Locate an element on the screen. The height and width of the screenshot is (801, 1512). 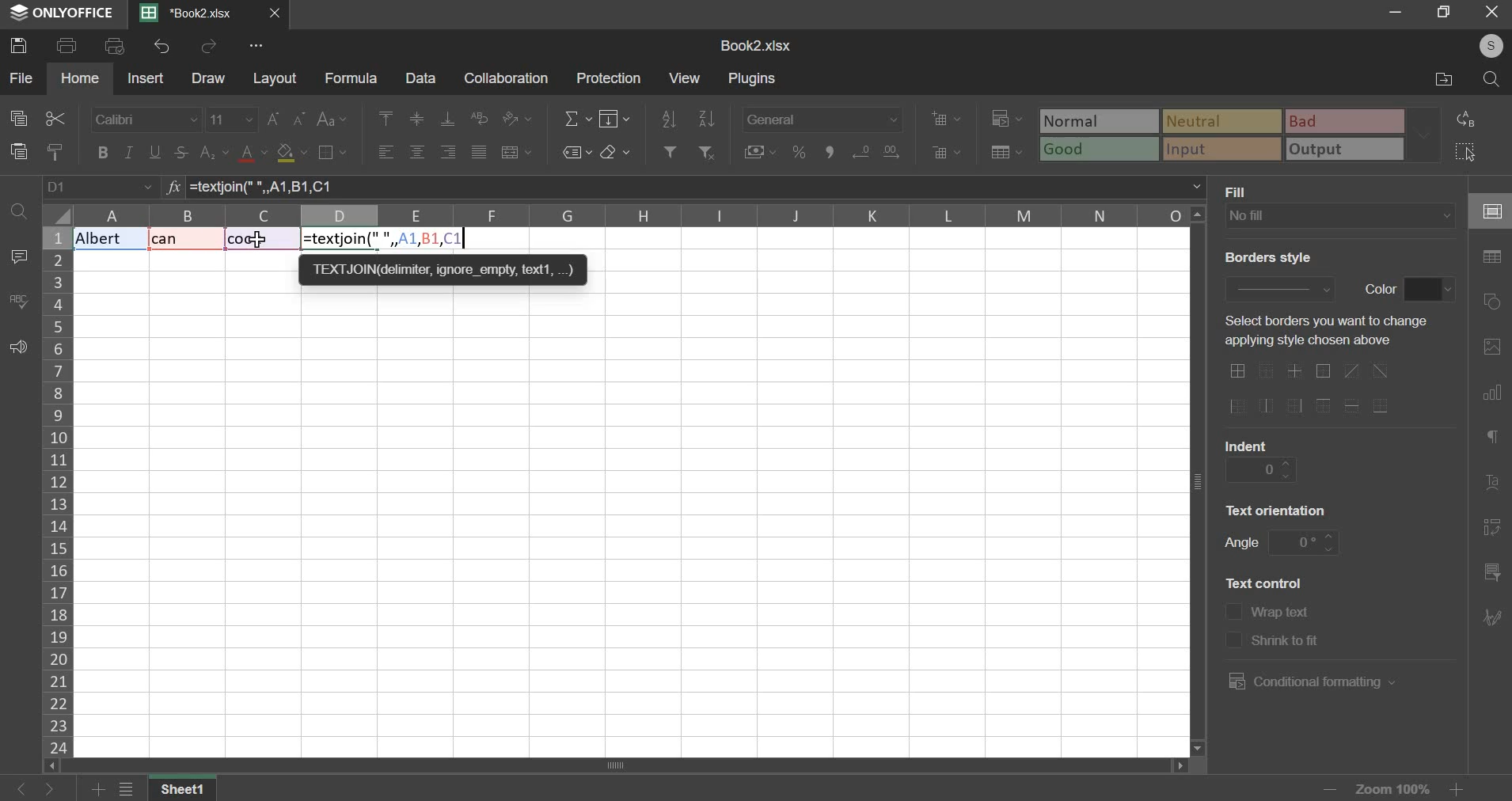
text is located at coordinates (1283, 614).